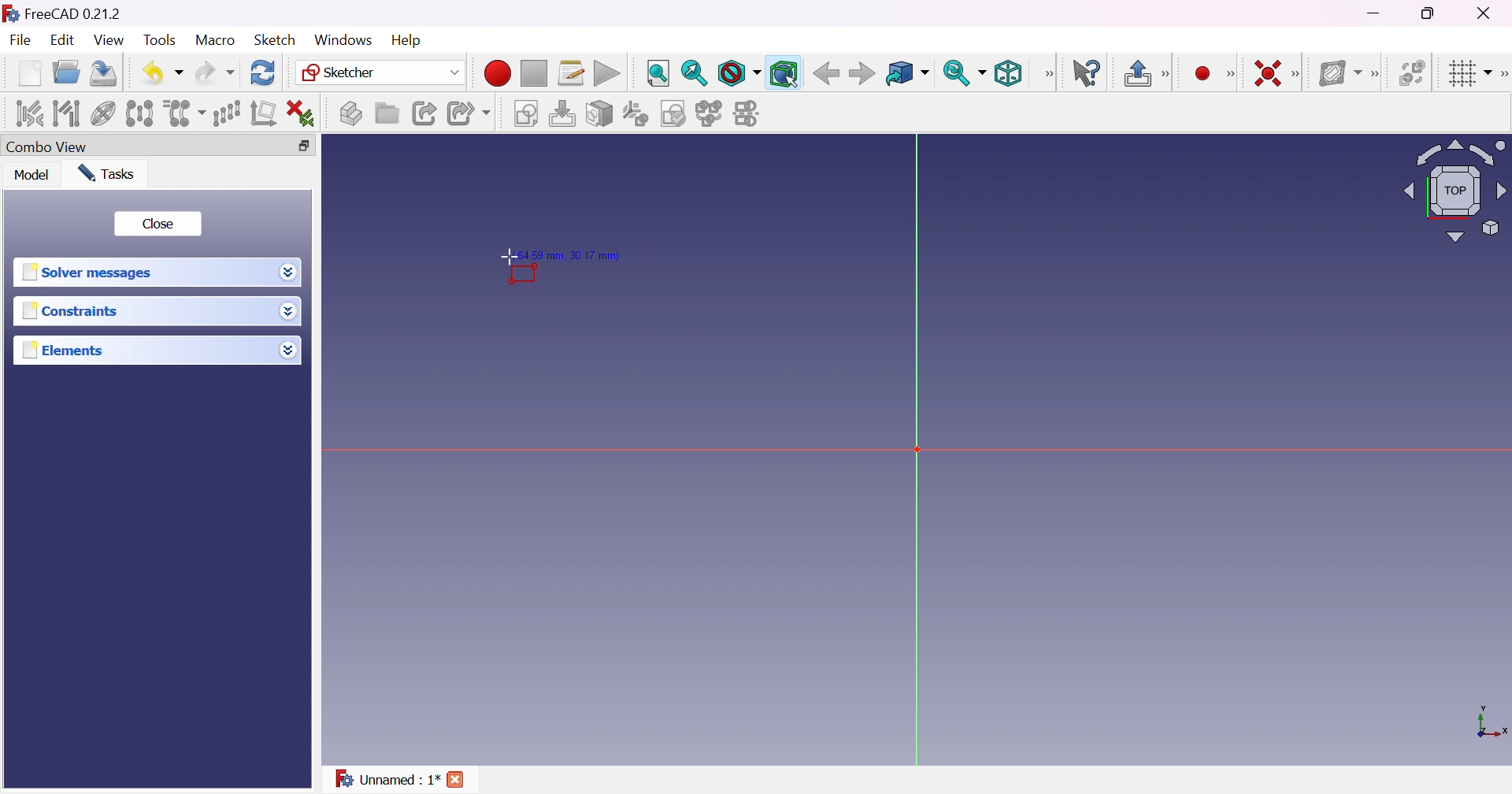  Describe the element at coordinates (964, 75) in the screenshot. I see `Sync view` at that location.